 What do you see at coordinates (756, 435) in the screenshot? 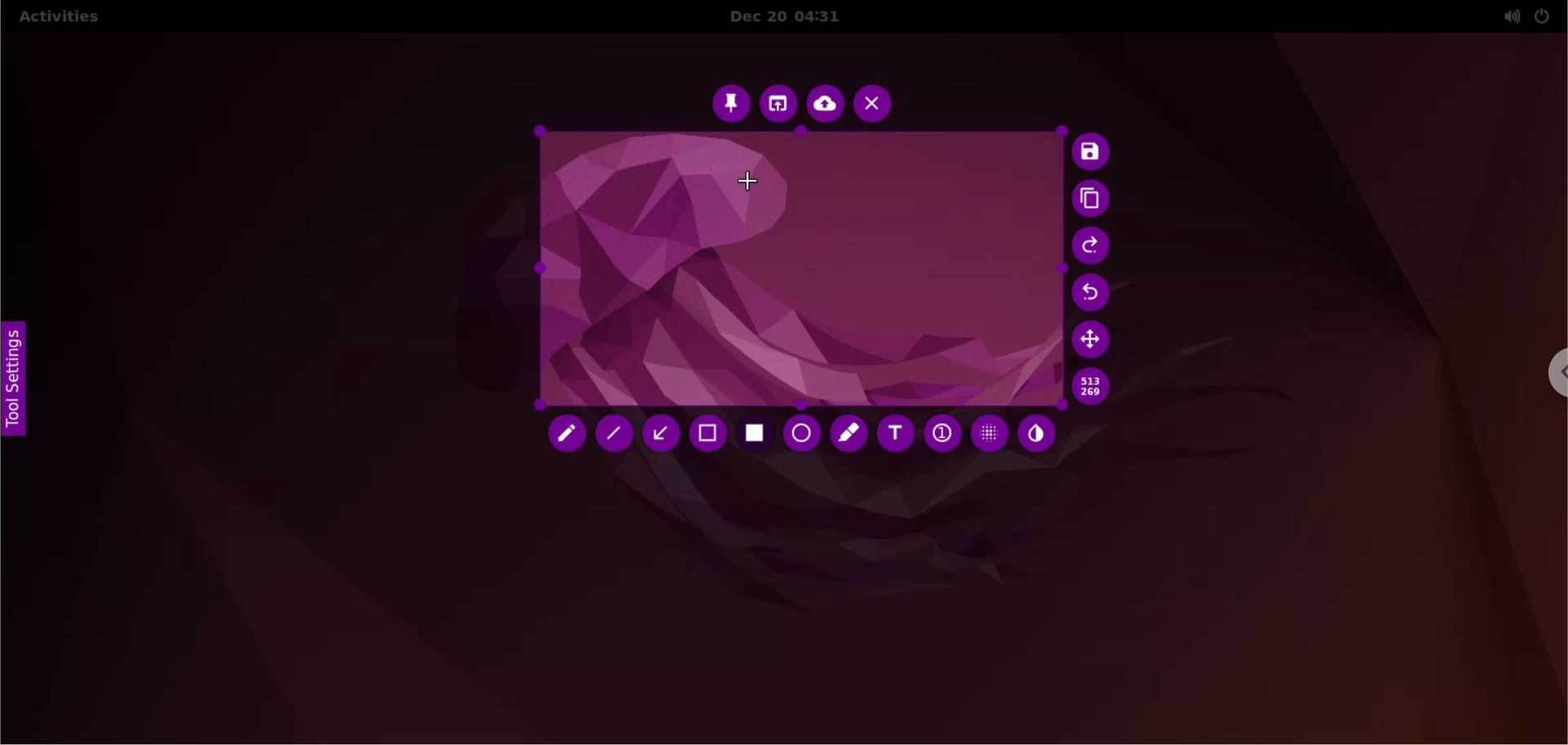
I see `rectangle tool` at bounding box center [756, 435].